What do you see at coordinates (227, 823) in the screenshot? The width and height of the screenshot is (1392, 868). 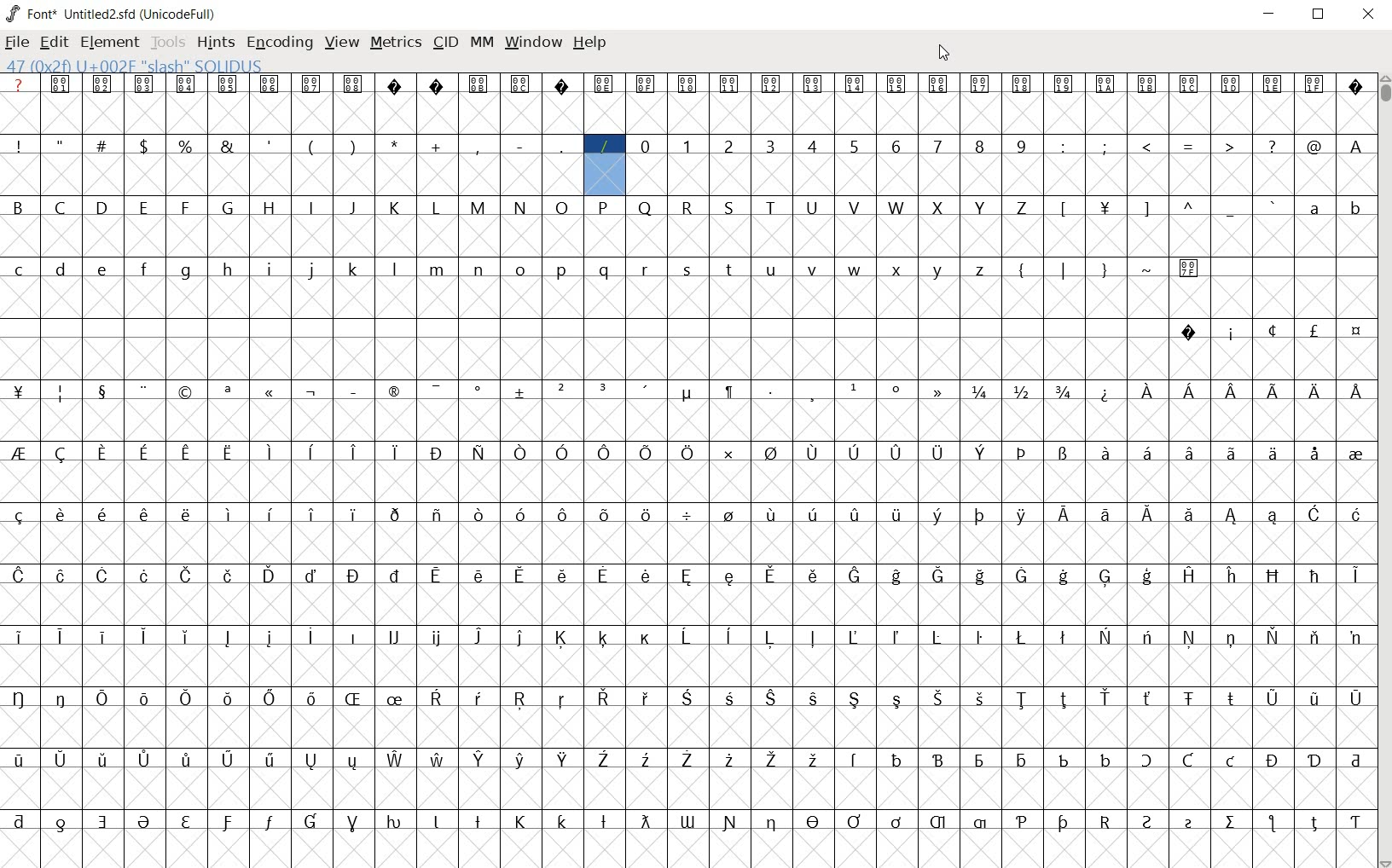 I see `glyph` at bounding box center [227, 823].